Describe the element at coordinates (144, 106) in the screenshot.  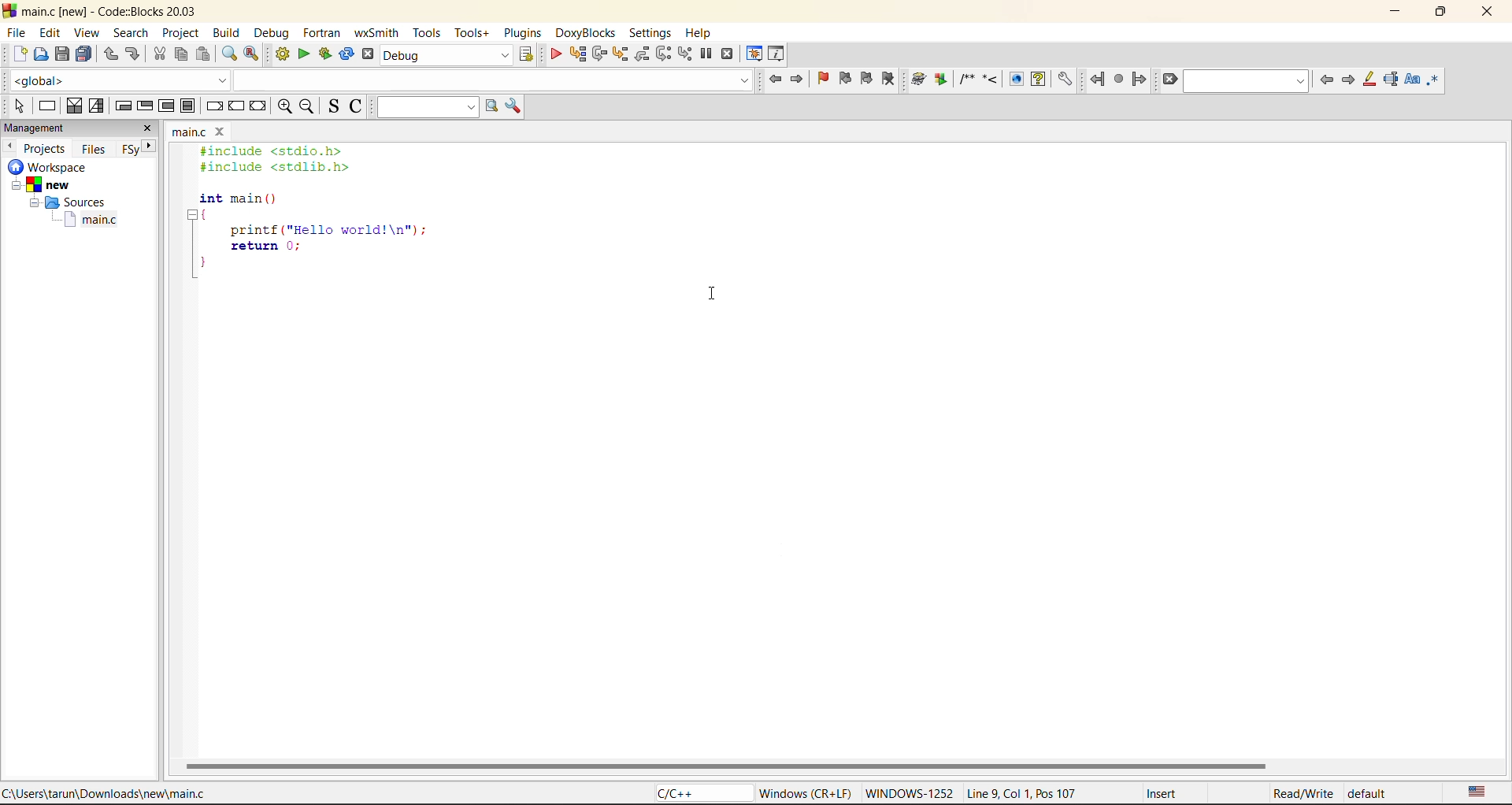
I see `exit condition loop` at that location.